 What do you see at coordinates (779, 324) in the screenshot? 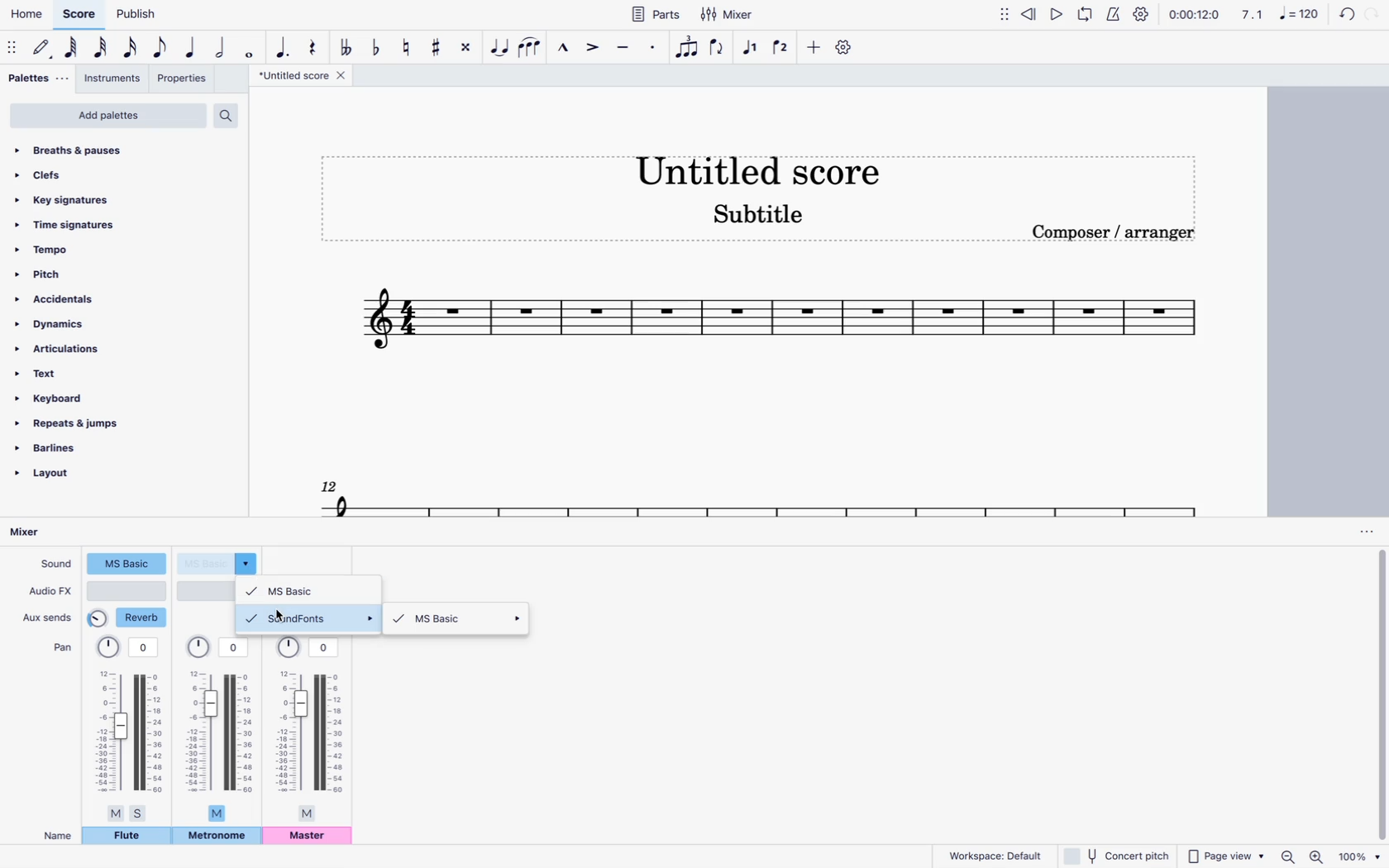
I see `score` at bounding box center [779, 324].